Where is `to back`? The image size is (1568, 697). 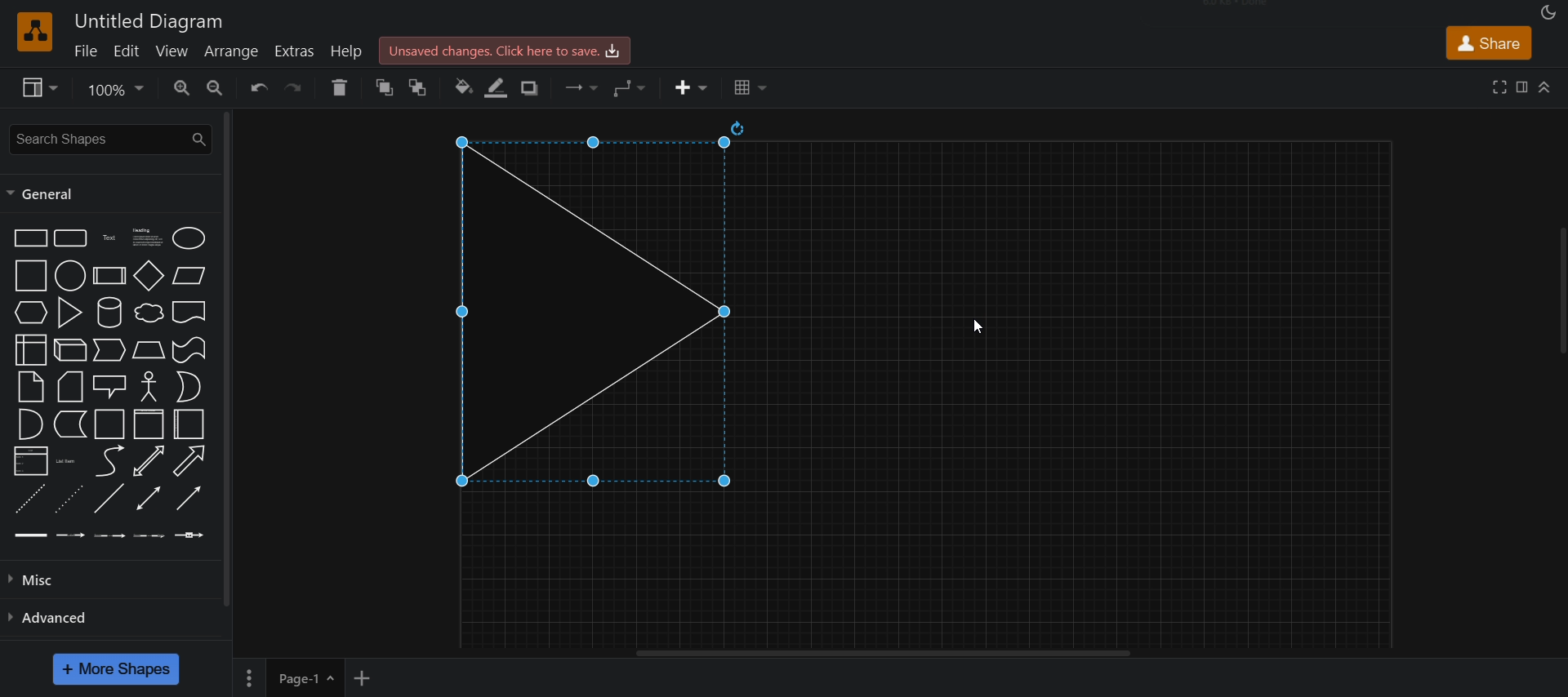
to back is located at coordinates (420, 87).